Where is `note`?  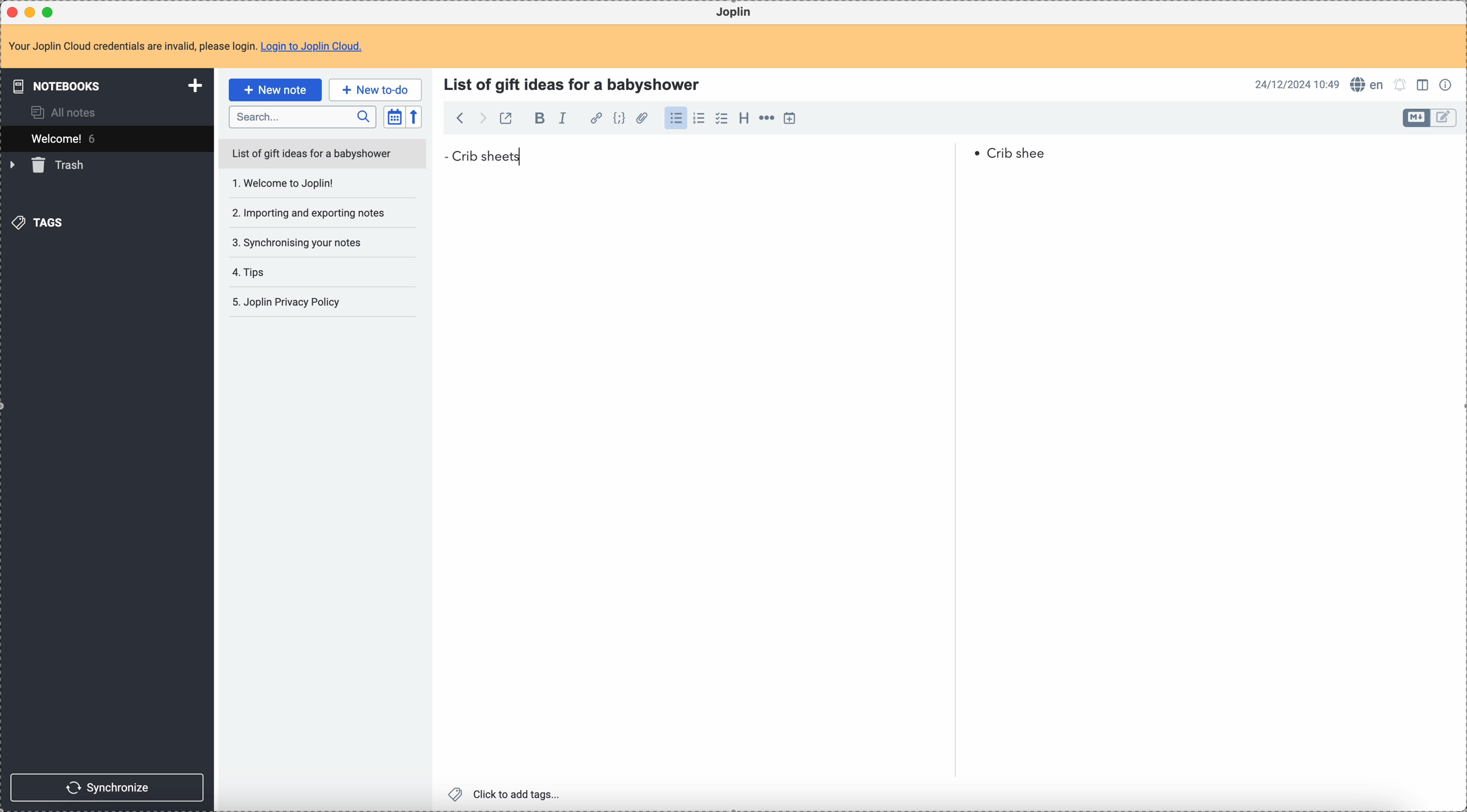 note is located at coordinates (185, 46).